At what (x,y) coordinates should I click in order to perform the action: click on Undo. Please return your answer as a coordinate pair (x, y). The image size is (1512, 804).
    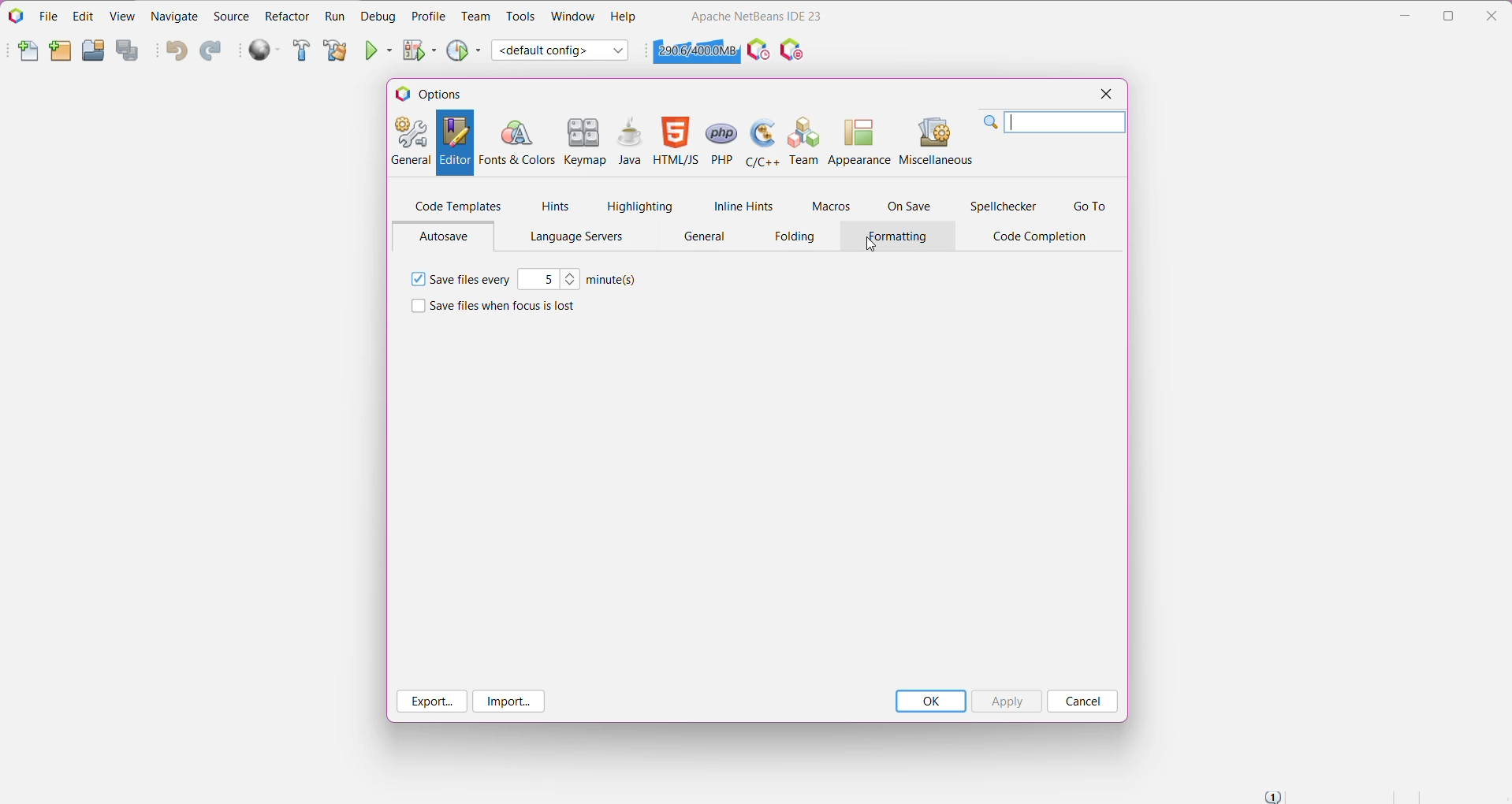
    Looking at the image, I should click on (176, 52).